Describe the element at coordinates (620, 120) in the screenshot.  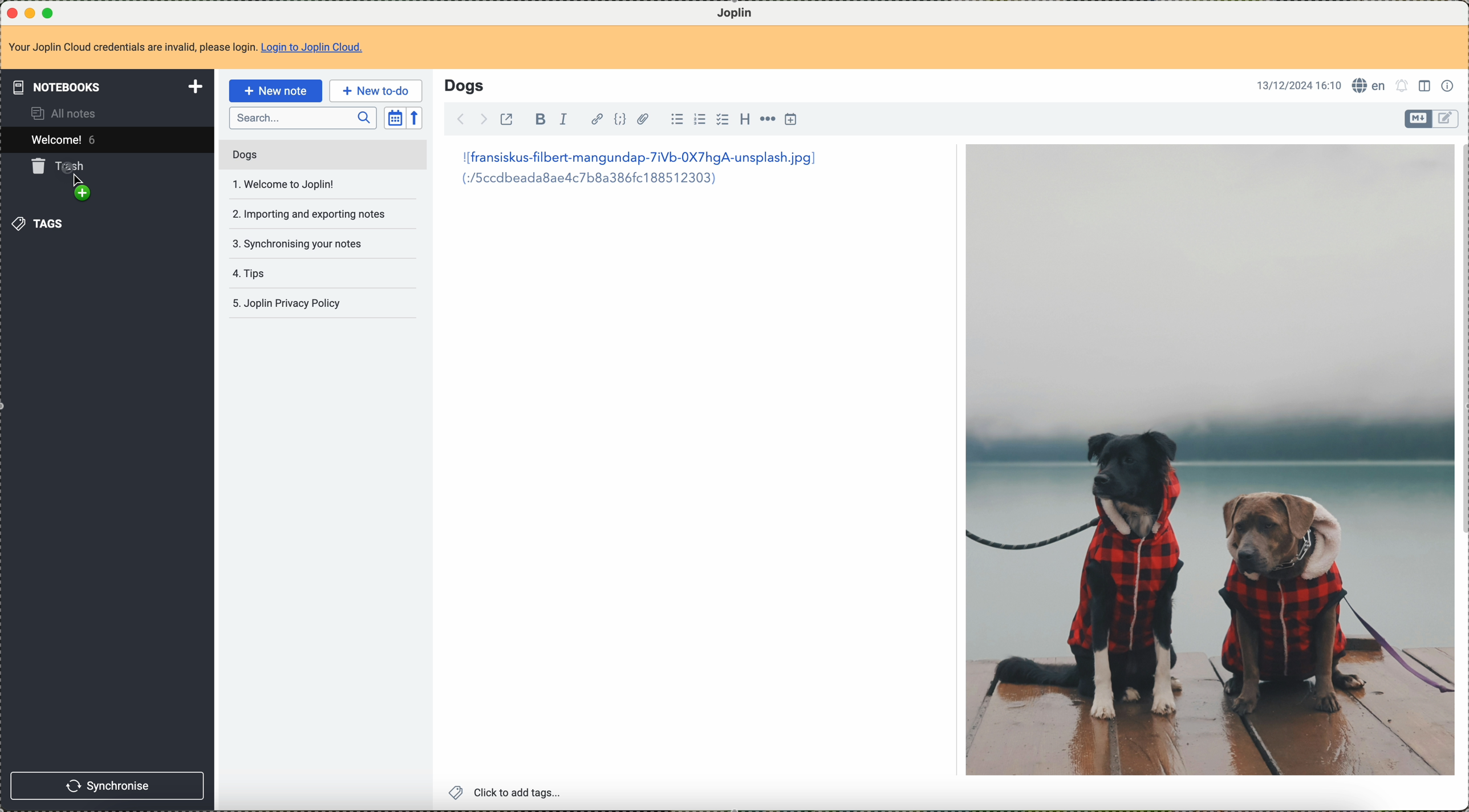
I see `code` at that location.